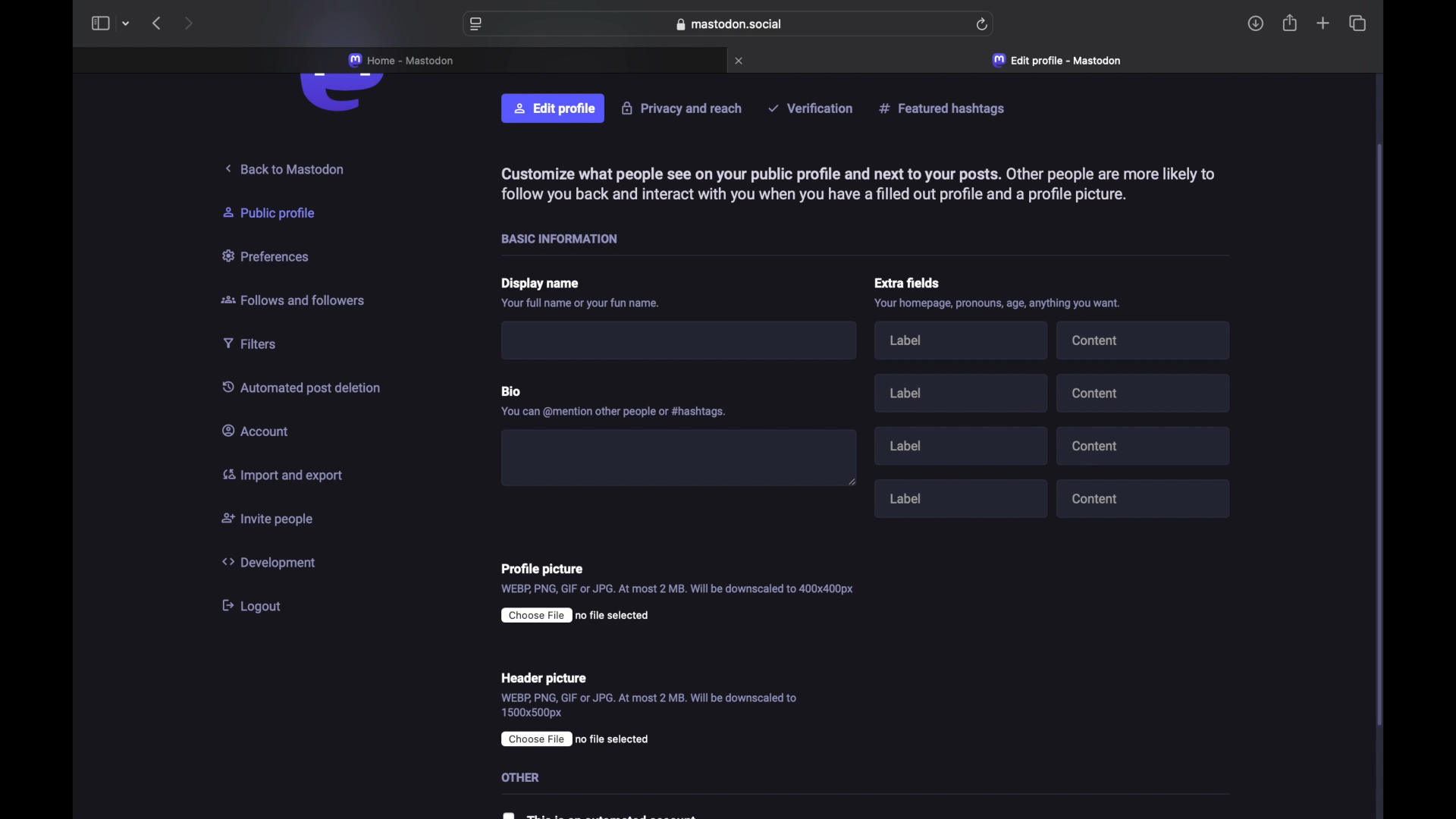  I want to click on downloads, so click(1256, 24).